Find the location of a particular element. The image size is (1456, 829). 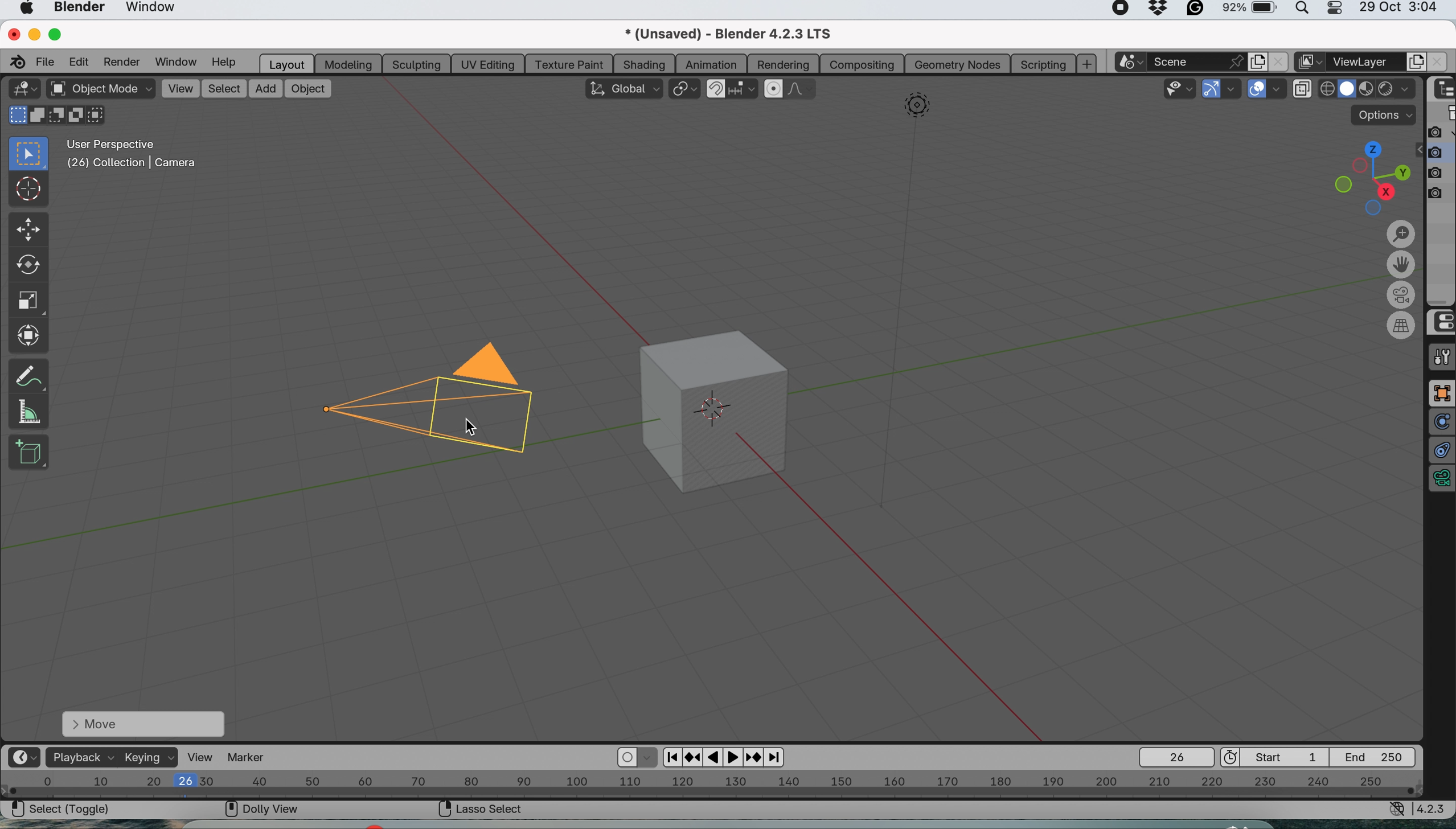

move the view is located at coordinates (1401, 266).